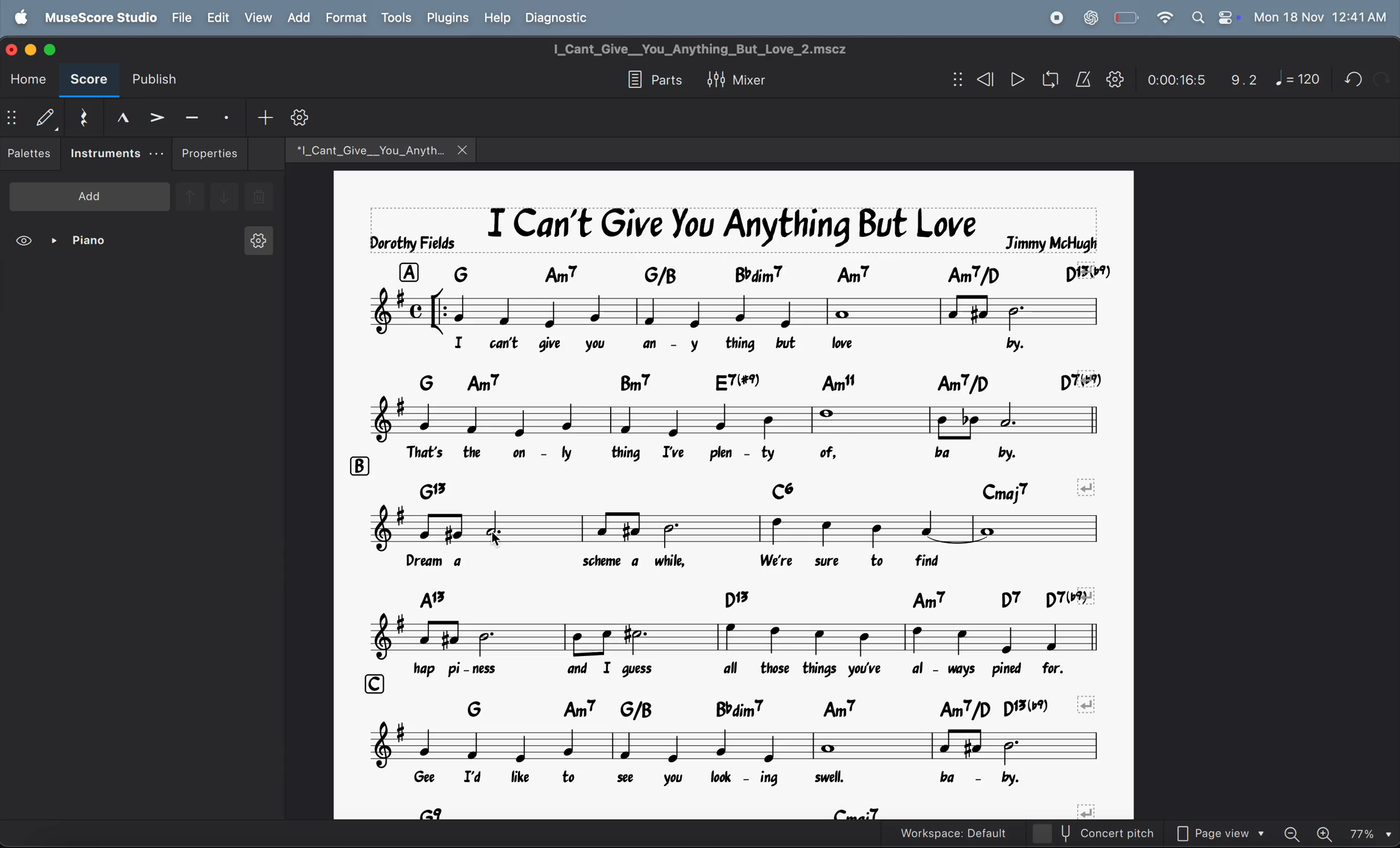 The image size is (1400, 848). Describe the element at coordinates (1054, 241) in the screenshot. I see `jimmy mchugh` at that location.